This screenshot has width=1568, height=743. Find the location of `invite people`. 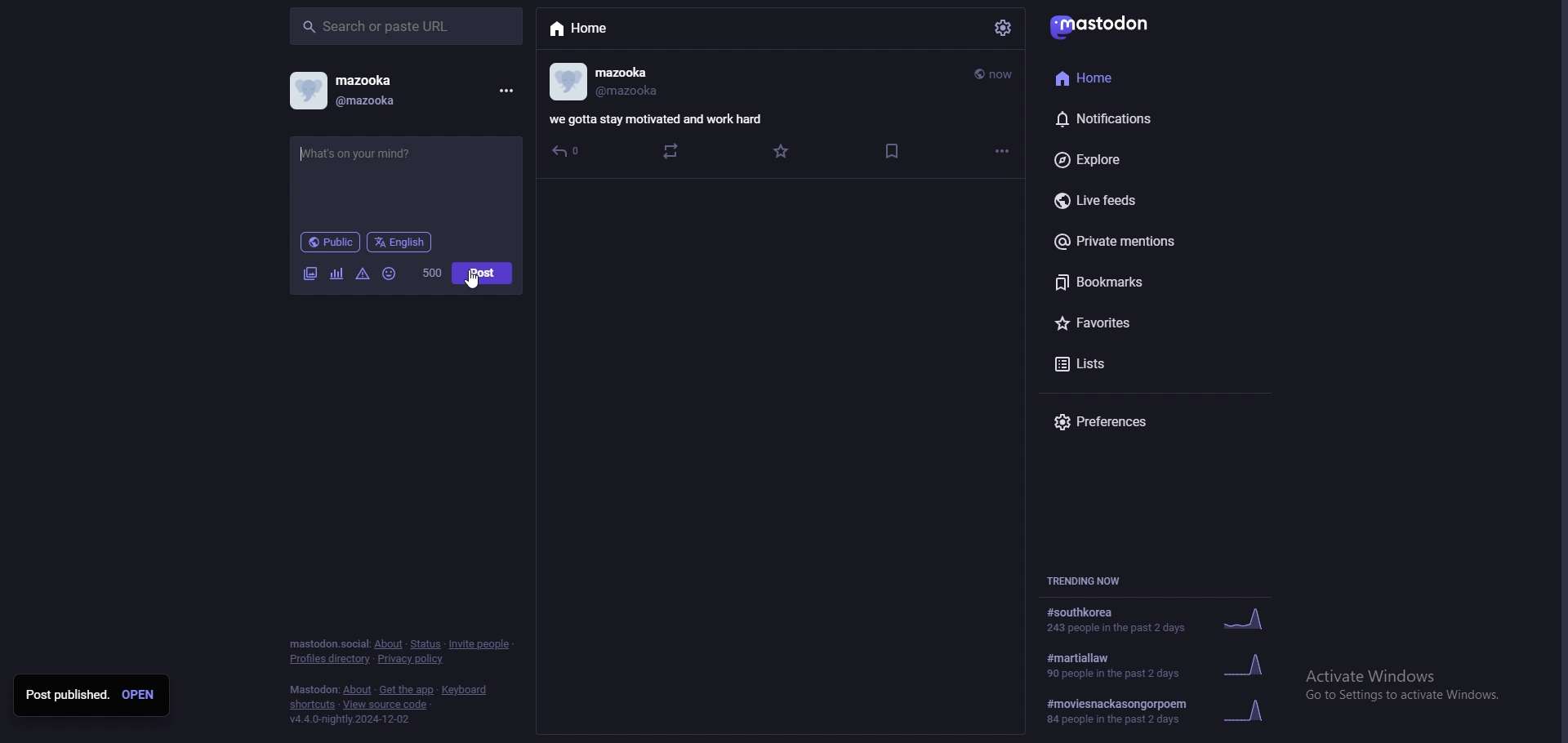

invite people is located at coordinates (480, 644).